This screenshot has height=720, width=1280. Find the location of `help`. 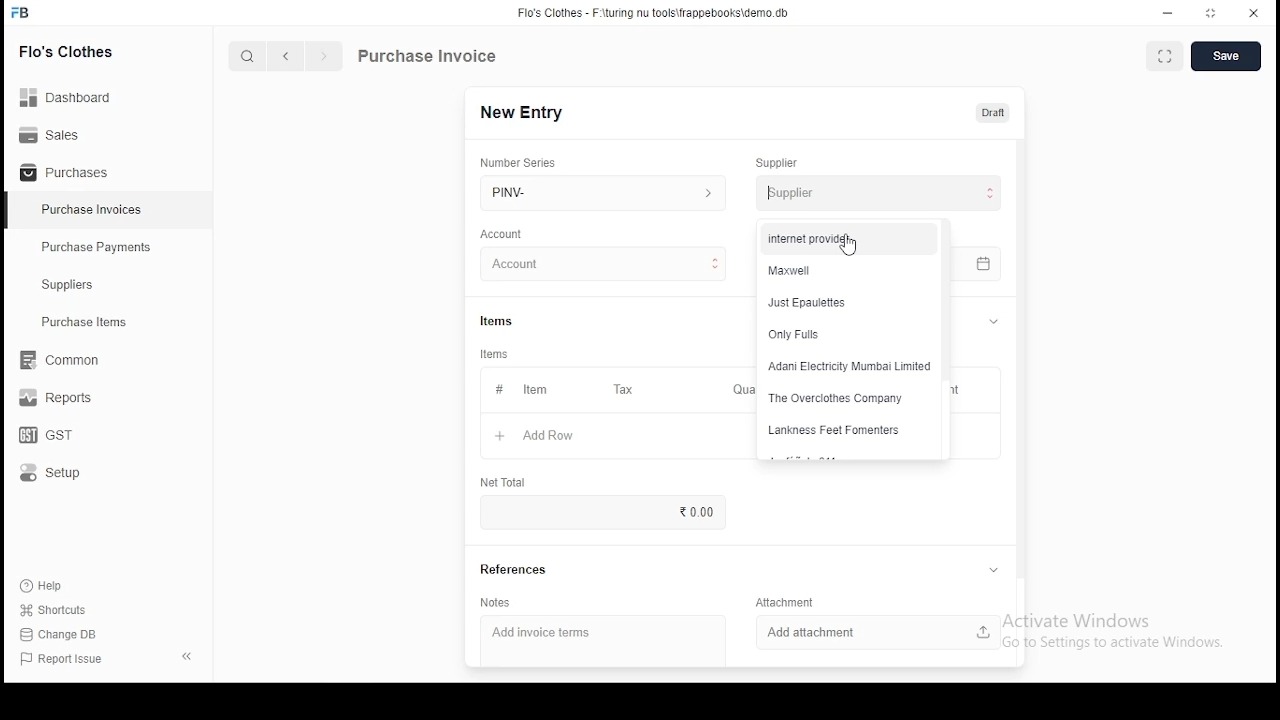

help is located at coordinates (46, 583).